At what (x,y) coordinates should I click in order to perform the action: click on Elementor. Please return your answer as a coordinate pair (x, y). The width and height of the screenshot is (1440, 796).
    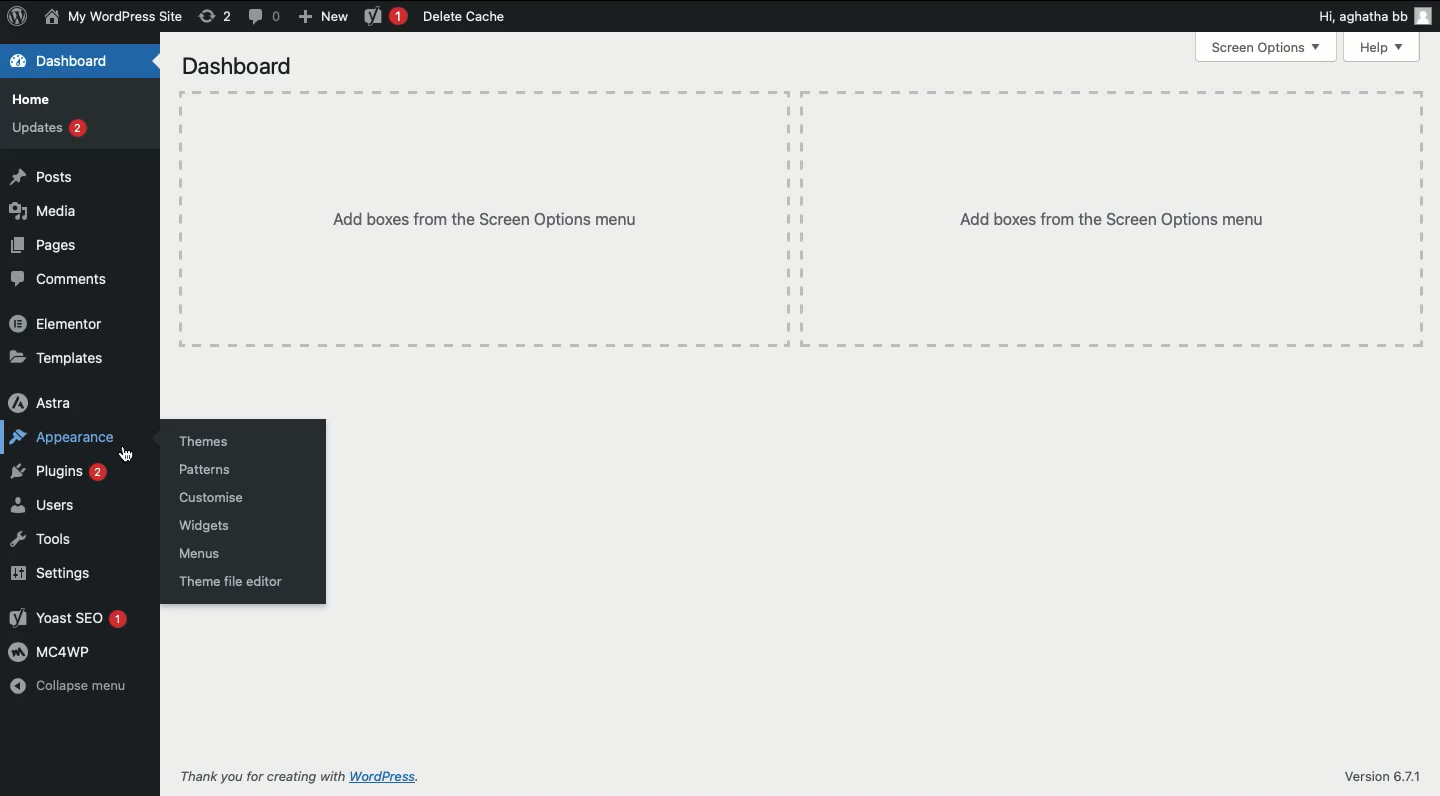
    Looking at the image, I should click on (59, 321).